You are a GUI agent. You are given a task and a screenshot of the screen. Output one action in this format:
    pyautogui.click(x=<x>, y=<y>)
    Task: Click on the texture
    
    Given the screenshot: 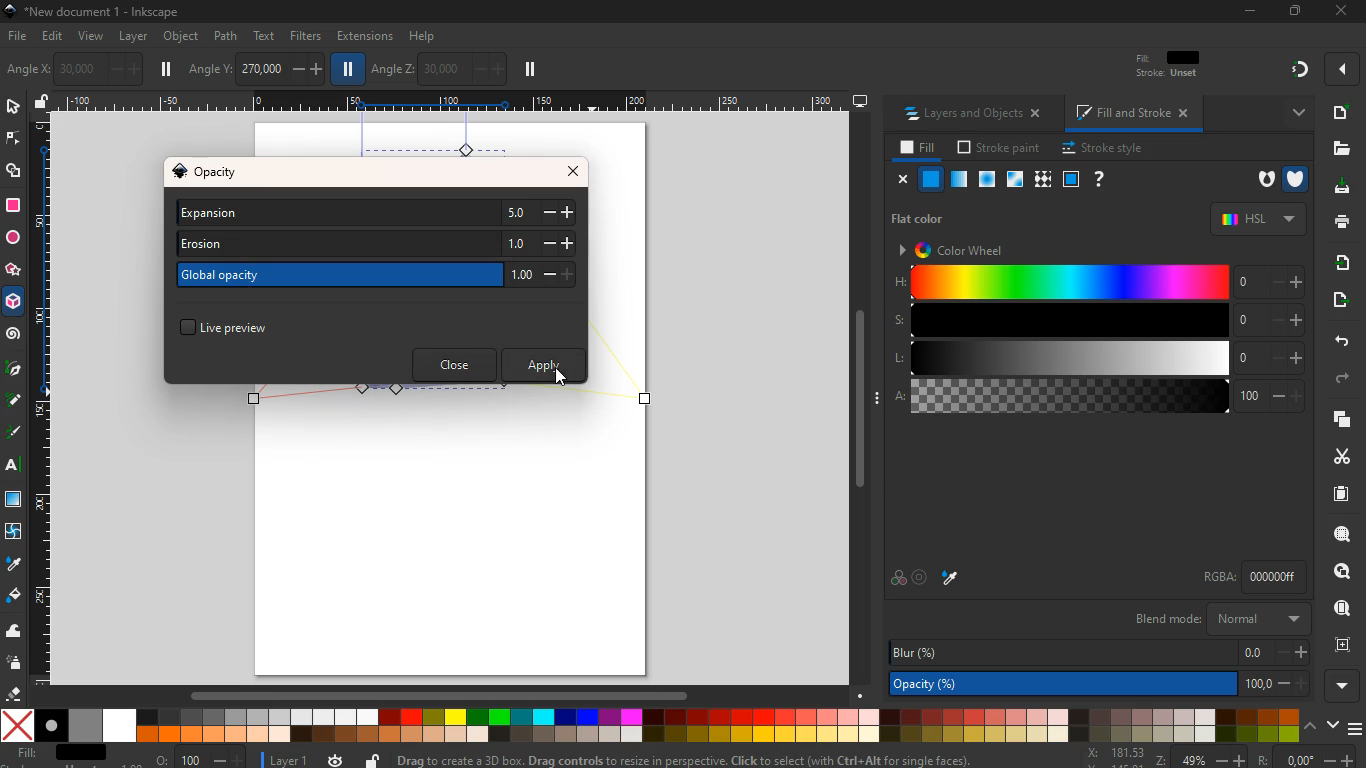 What is the action you would take?
    pyautogui.click(x=1043, y=179)
    